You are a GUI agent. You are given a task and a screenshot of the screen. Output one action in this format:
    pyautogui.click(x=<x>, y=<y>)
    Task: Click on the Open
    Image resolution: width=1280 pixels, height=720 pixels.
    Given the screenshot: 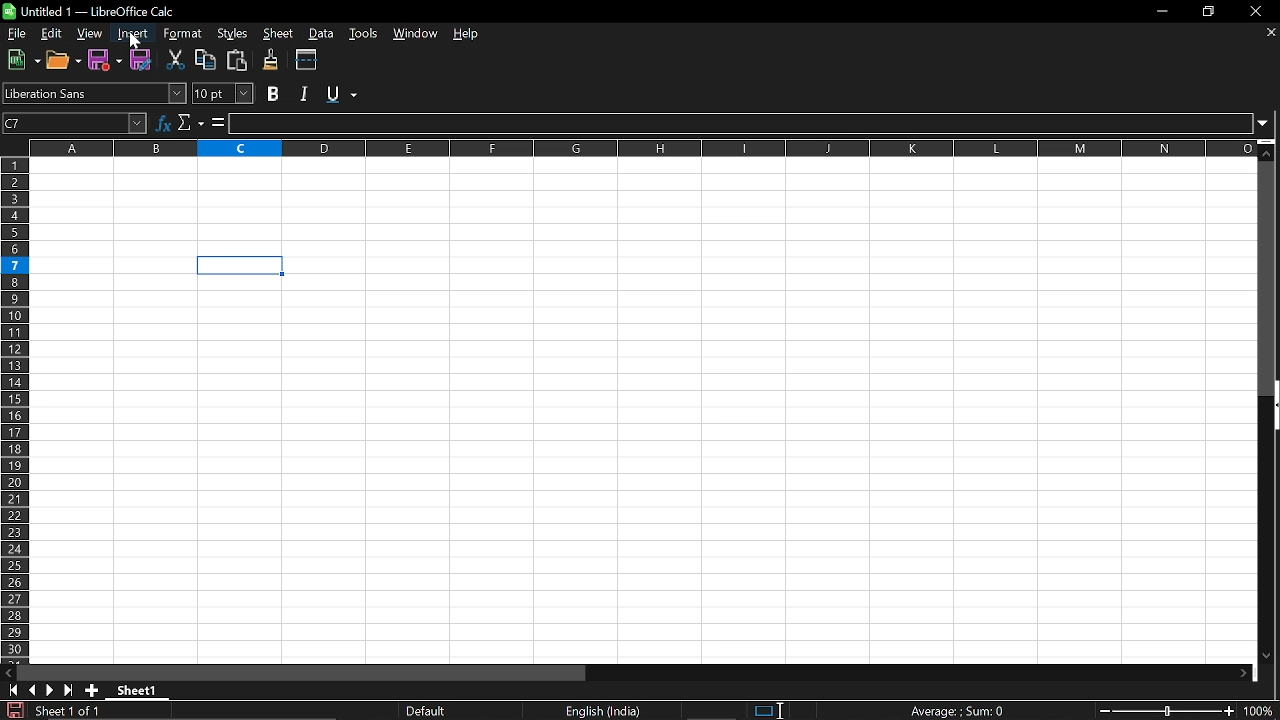 What is the action you would take?
    pyautogui.click(x=64, y=60)
    